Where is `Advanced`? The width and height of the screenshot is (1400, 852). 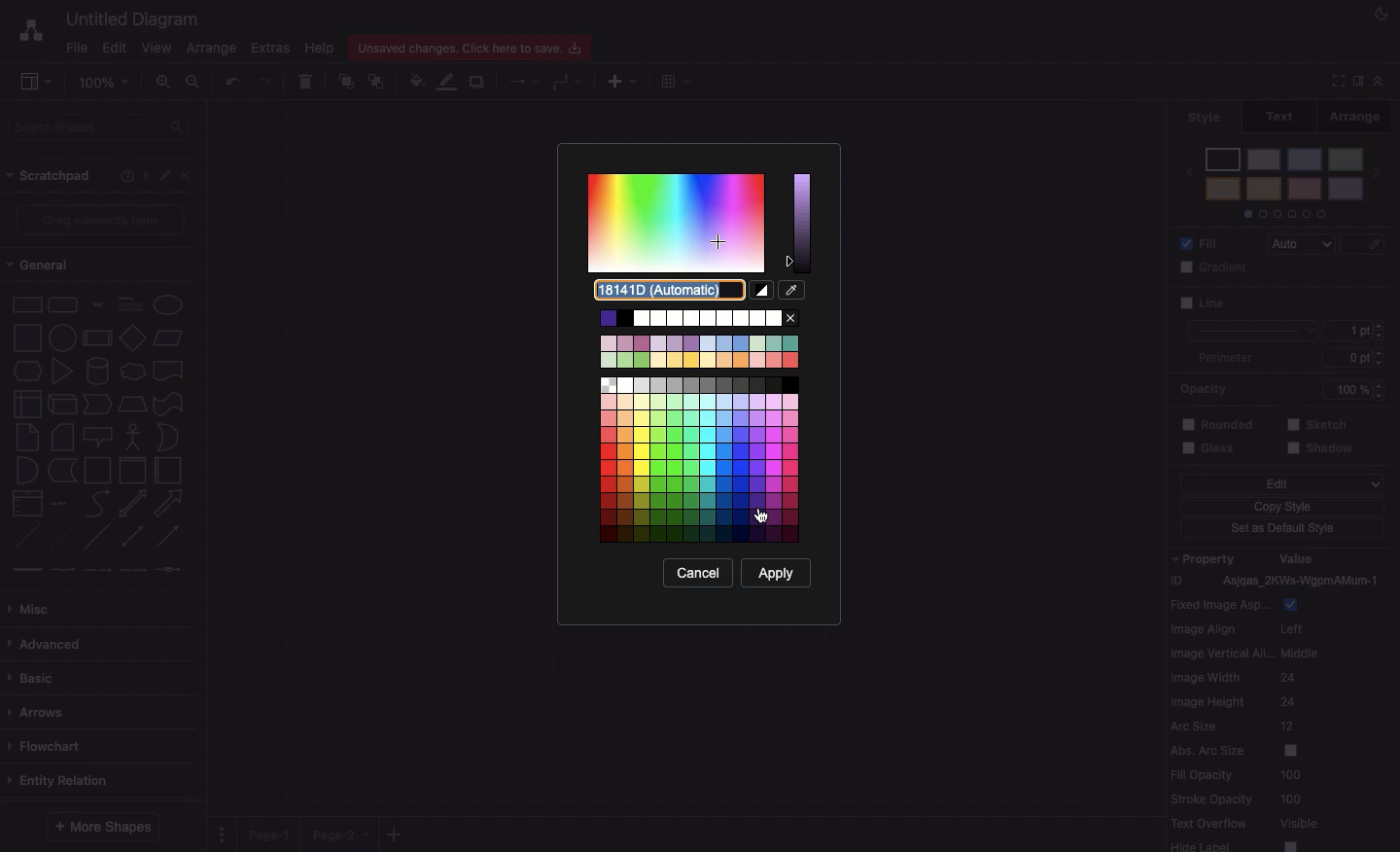 Advanced is located at coordinates (46, 641).